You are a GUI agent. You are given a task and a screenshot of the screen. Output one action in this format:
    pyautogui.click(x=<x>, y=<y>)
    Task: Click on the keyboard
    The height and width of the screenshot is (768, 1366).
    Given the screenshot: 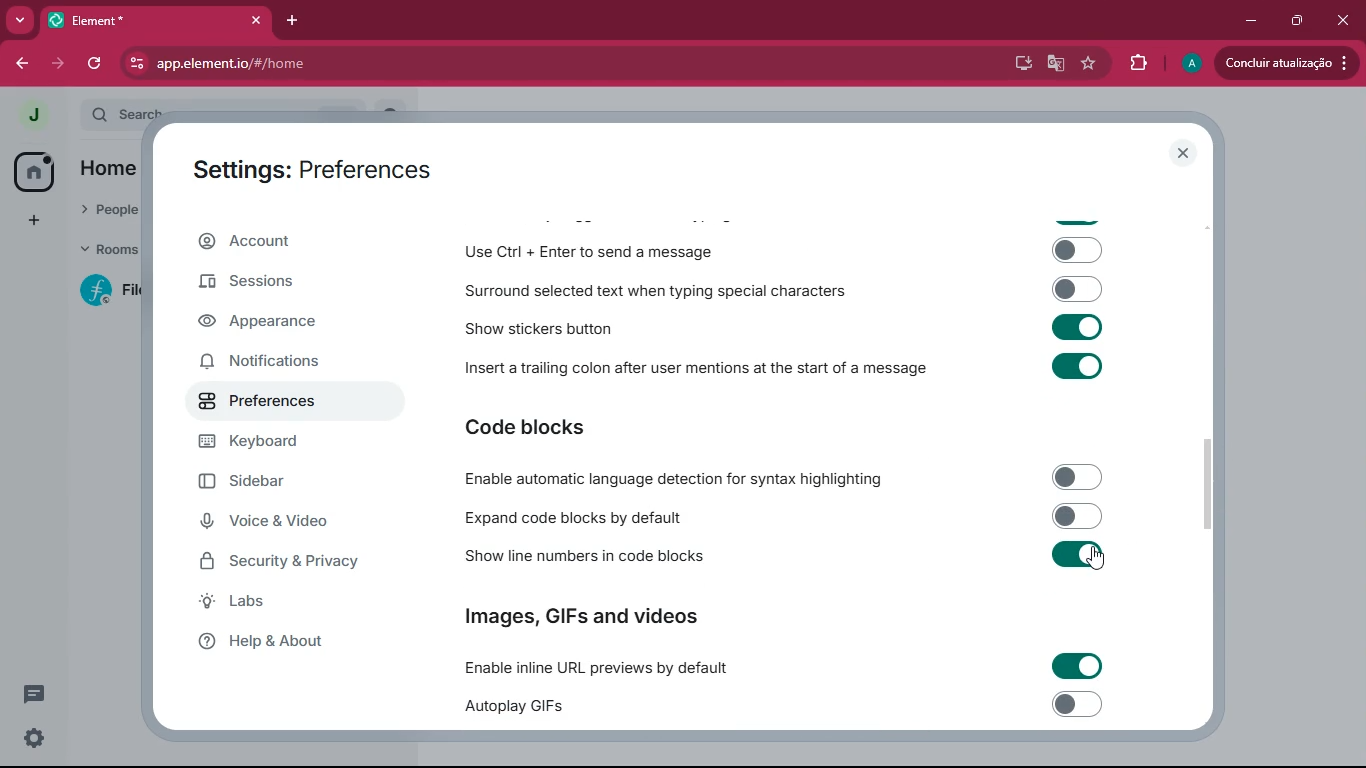 What is the action you would take?
    pyautogui.click(x=277, y=442)
    